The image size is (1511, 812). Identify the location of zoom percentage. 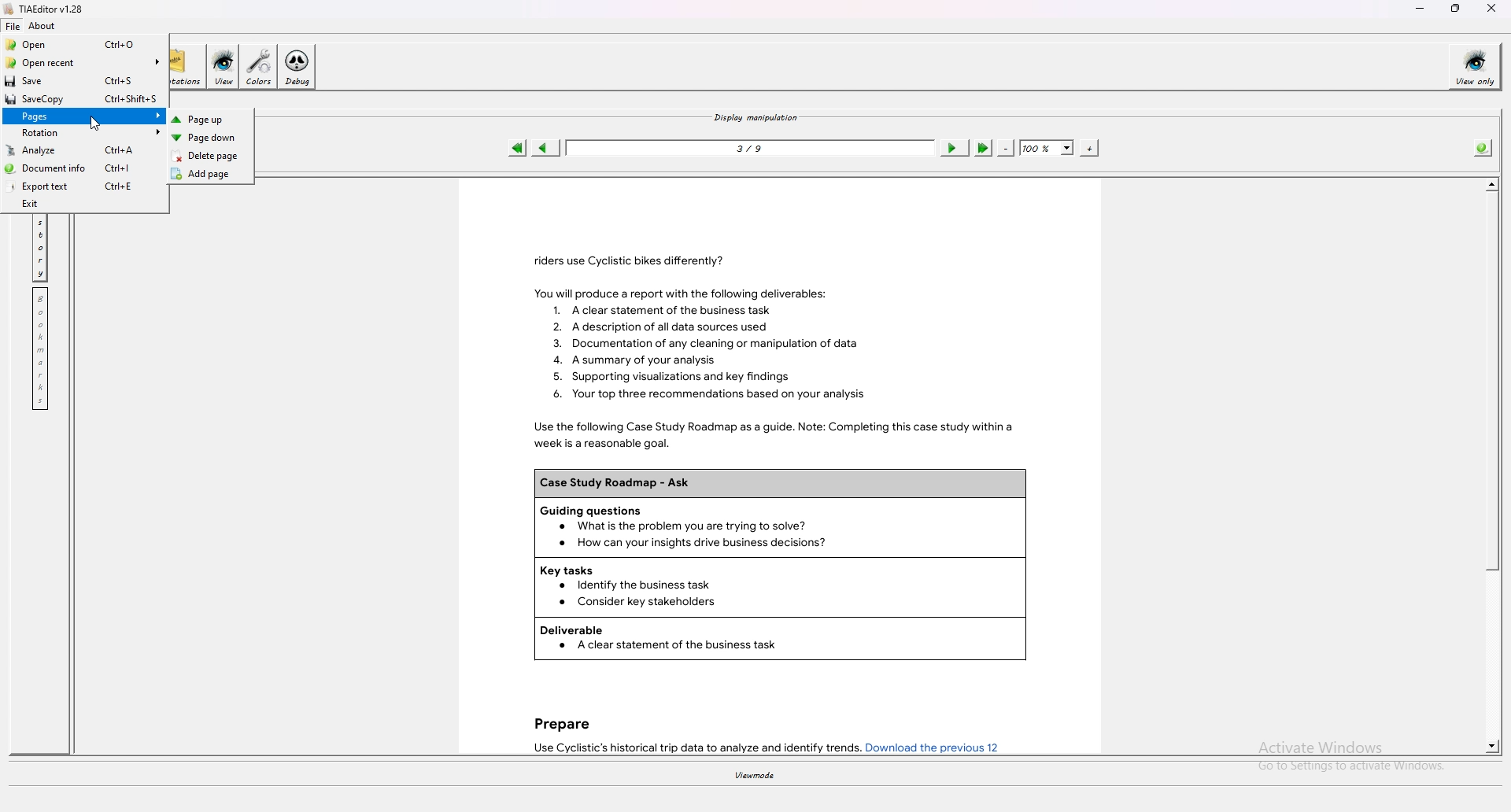
(1047, 148).